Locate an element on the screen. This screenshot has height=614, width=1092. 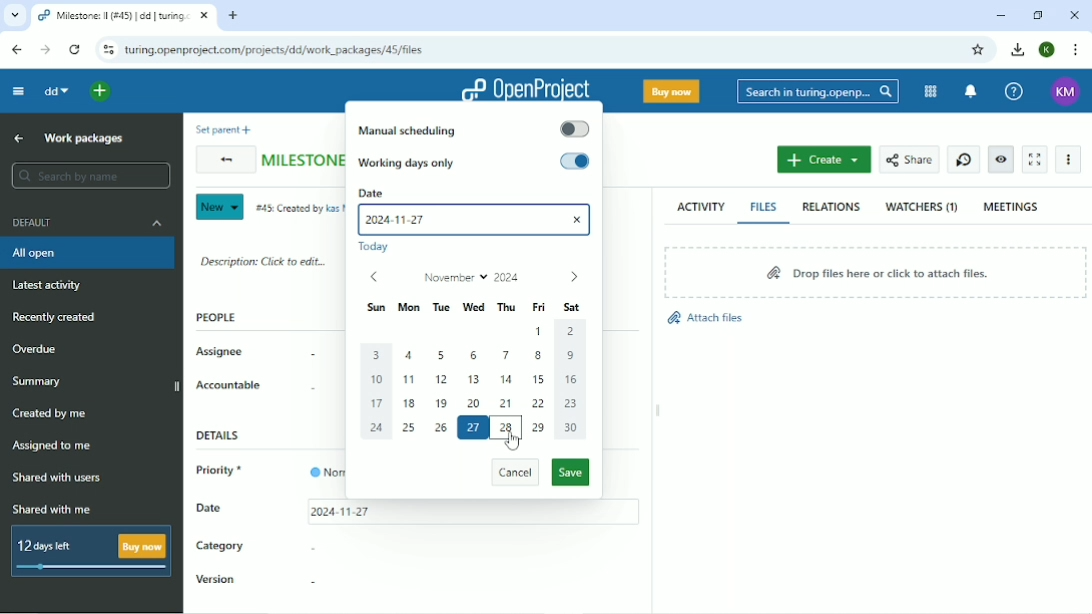
OpenProject is located at coordinates (524, 85).